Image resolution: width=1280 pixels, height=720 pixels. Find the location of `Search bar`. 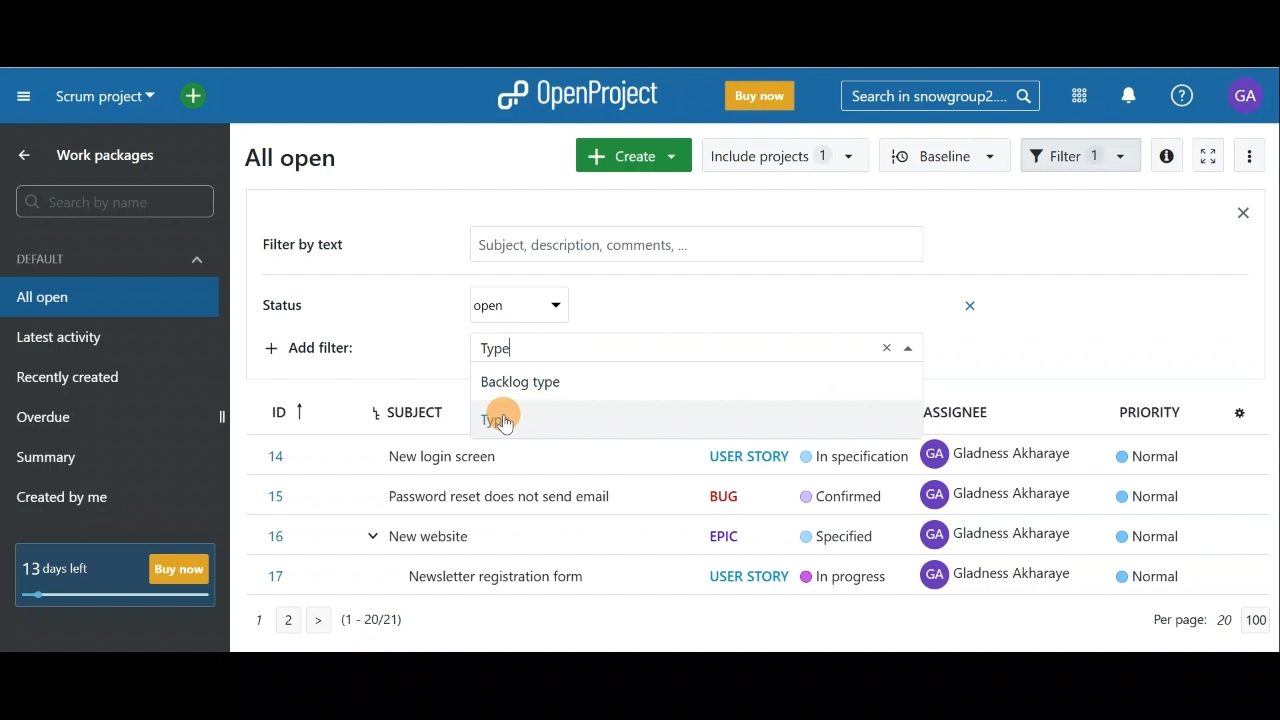

Search bar is located at coordinates (113, 205).